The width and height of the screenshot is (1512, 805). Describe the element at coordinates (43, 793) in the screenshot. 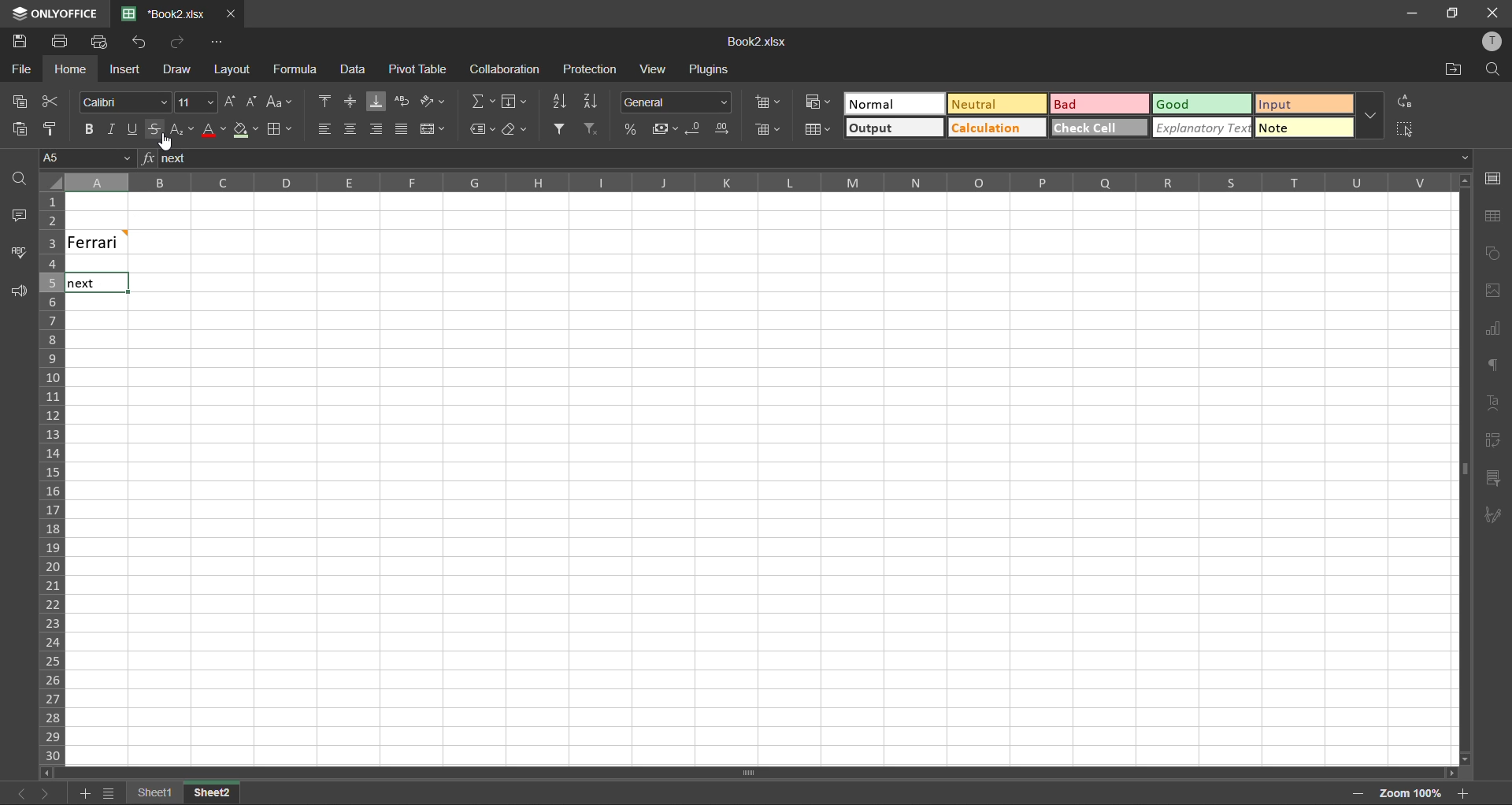

I see `next` at that location.